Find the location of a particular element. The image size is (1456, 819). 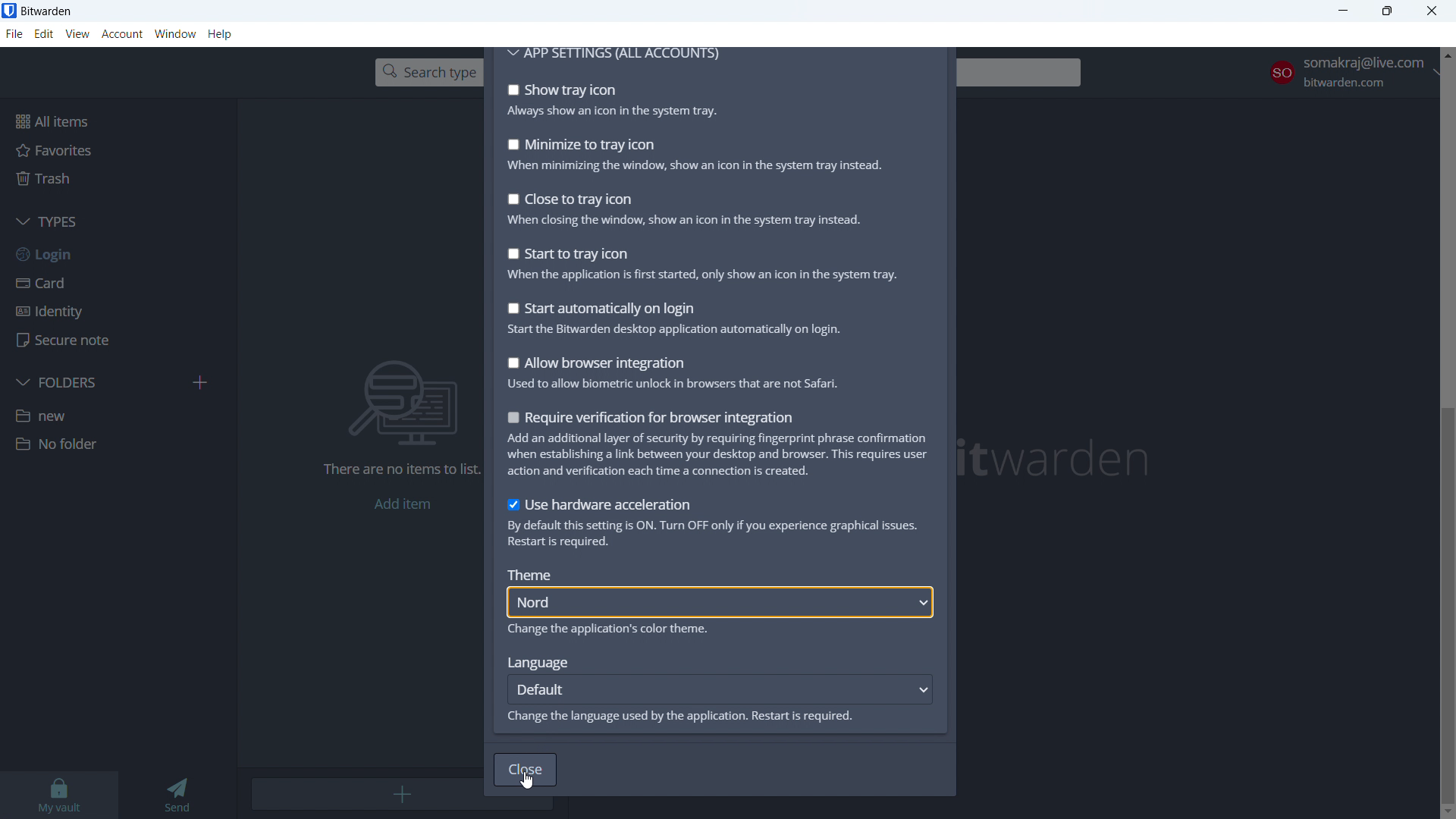

nord theme selected is located at coordinates (721, 601).